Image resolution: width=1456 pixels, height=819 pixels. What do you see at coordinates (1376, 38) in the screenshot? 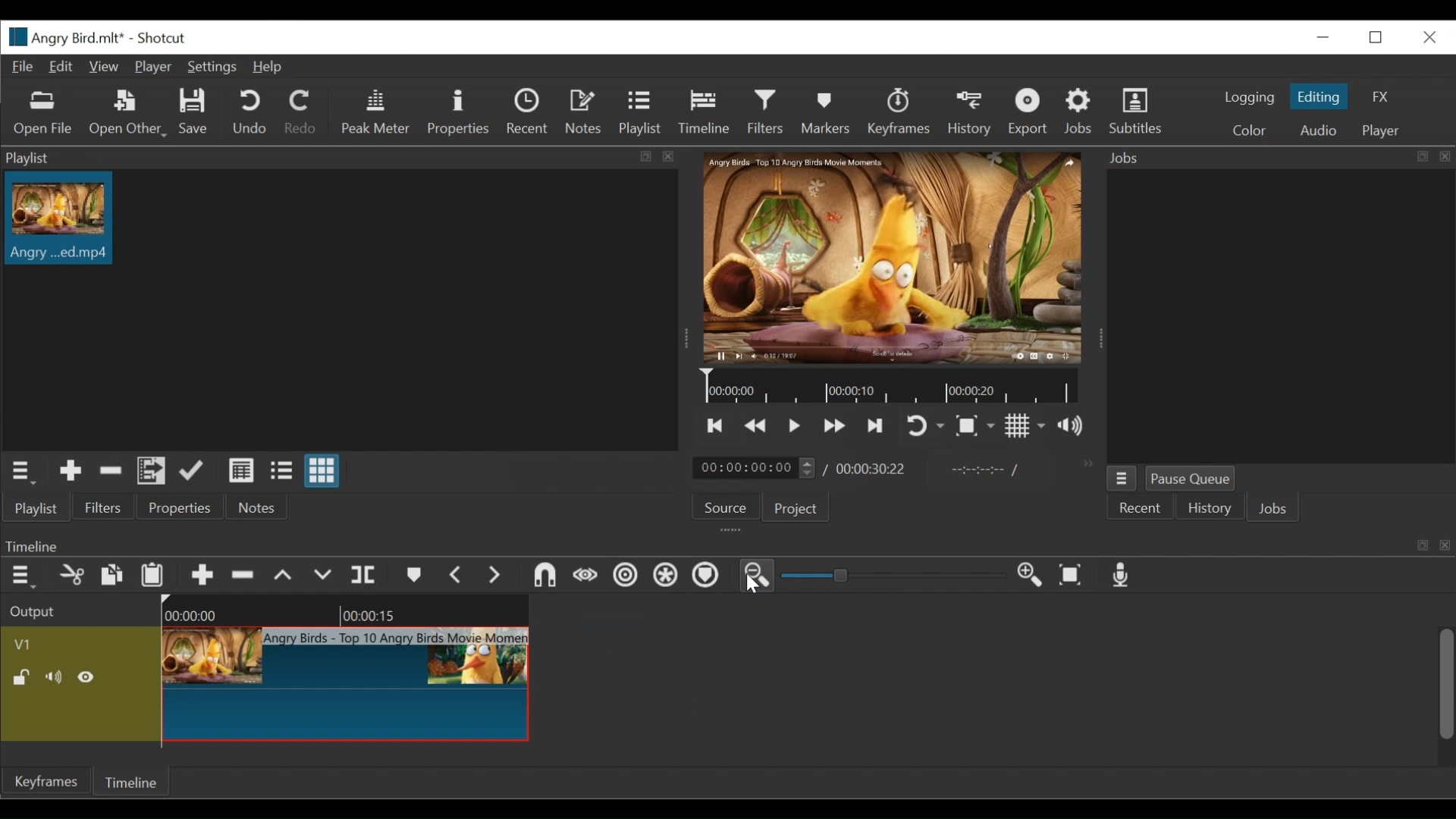
I see `Restore` at bounding box center [1376, 38].